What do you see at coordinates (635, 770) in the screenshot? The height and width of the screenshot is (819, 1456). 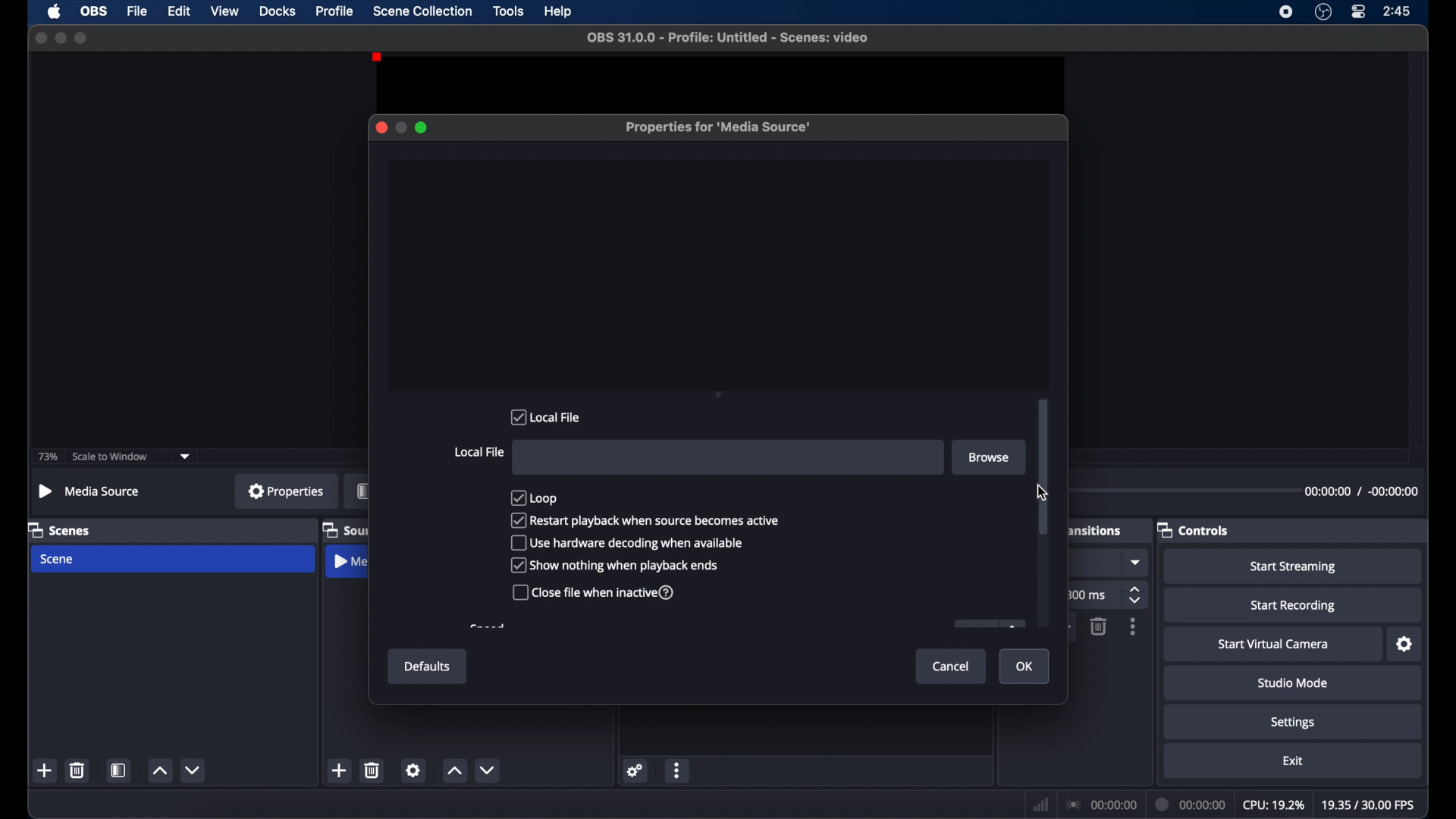 I see `settings` at bounding box center [635, 770].